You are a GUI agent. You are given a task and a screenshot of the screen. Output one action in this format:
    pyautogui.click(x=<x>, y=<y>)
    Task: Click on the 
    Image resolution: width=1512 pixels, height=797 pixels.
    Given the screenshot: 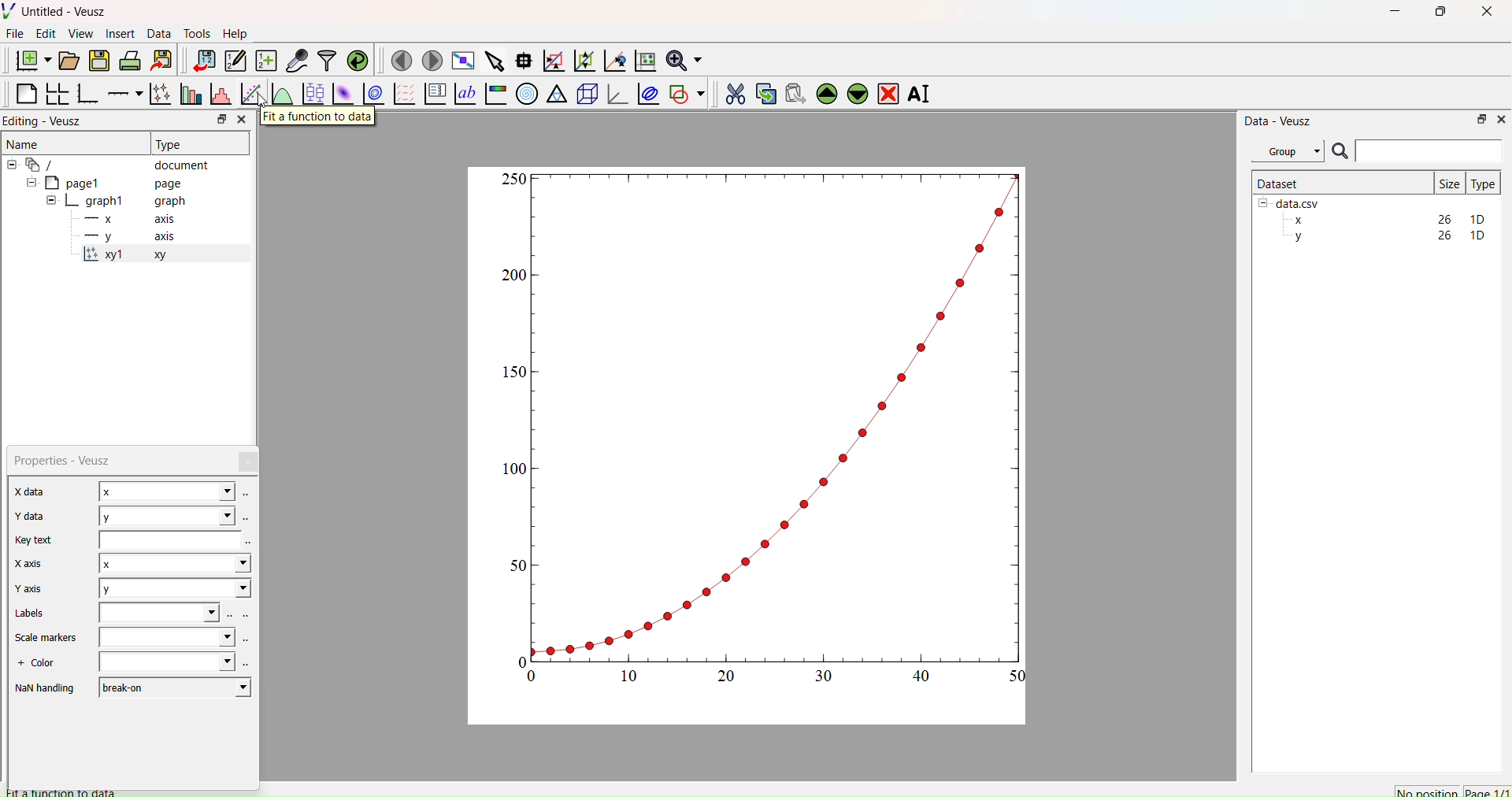 What is the action you would take?
    pyautogui.click(x=158, y=612)
    